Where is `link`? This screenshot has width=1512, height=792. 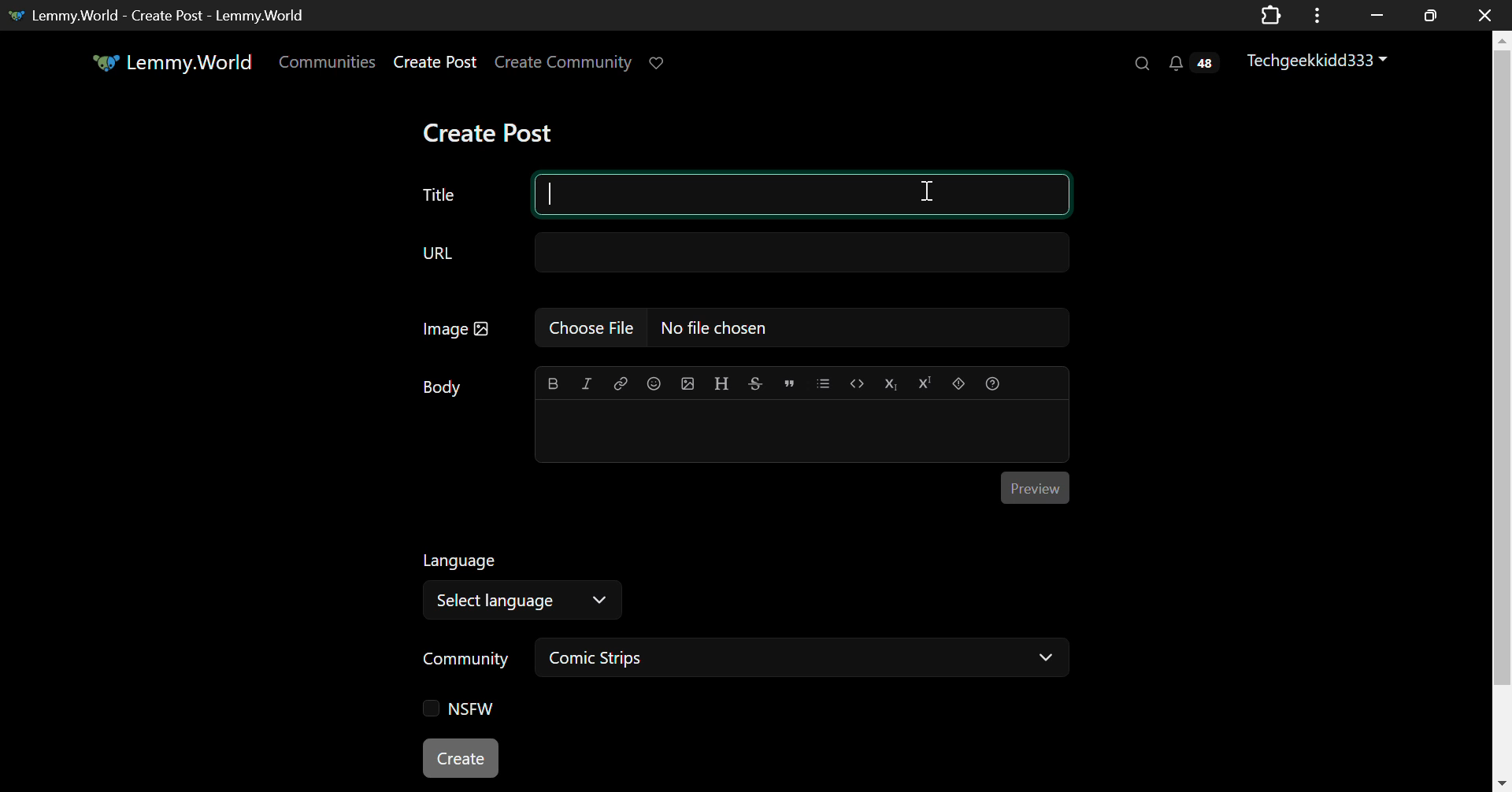 link is located at coordinates (617, 383).